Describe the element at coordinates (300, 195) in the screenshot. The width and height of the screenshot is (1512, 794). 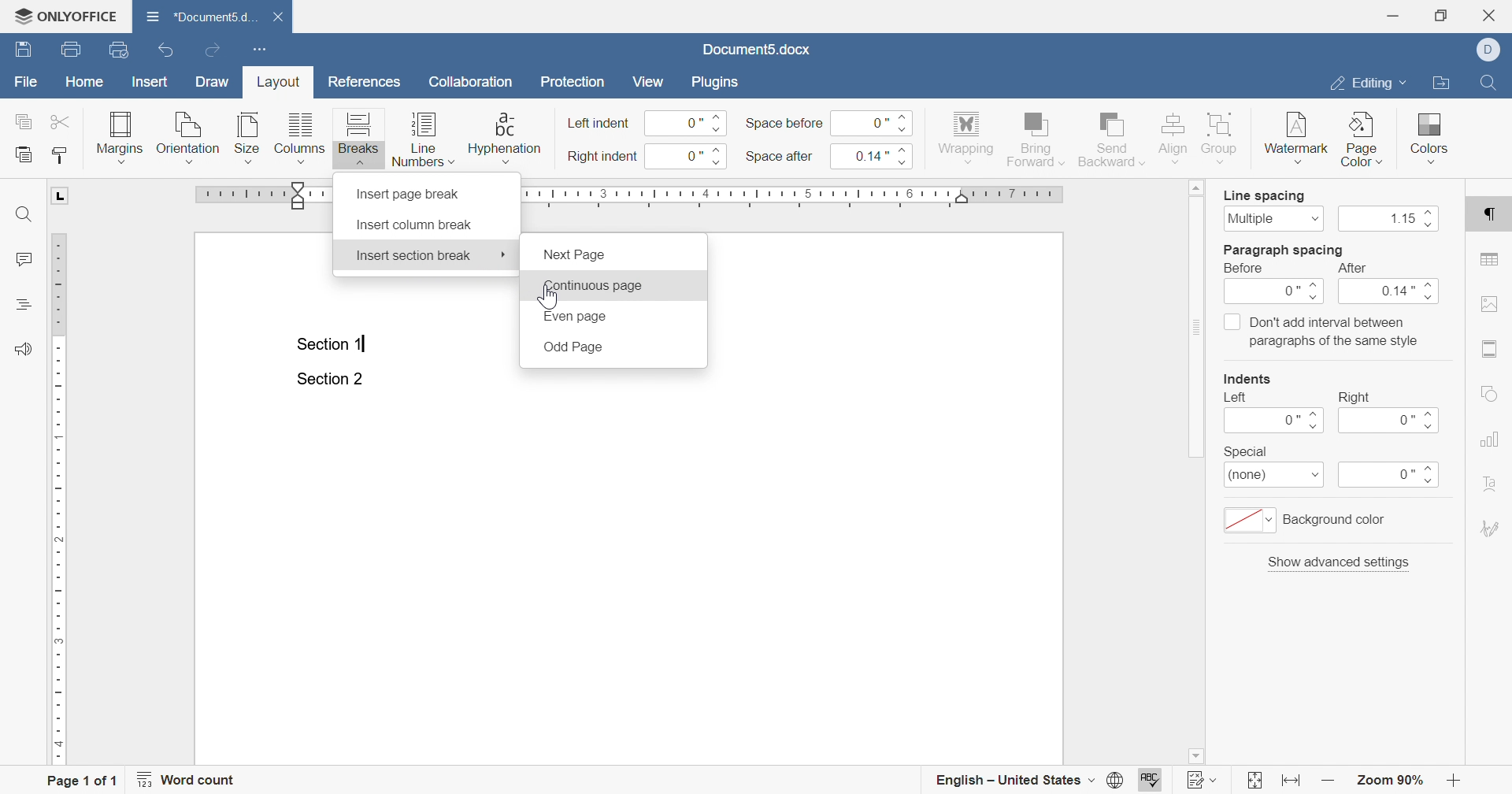
I see `adjust margin` at that location.